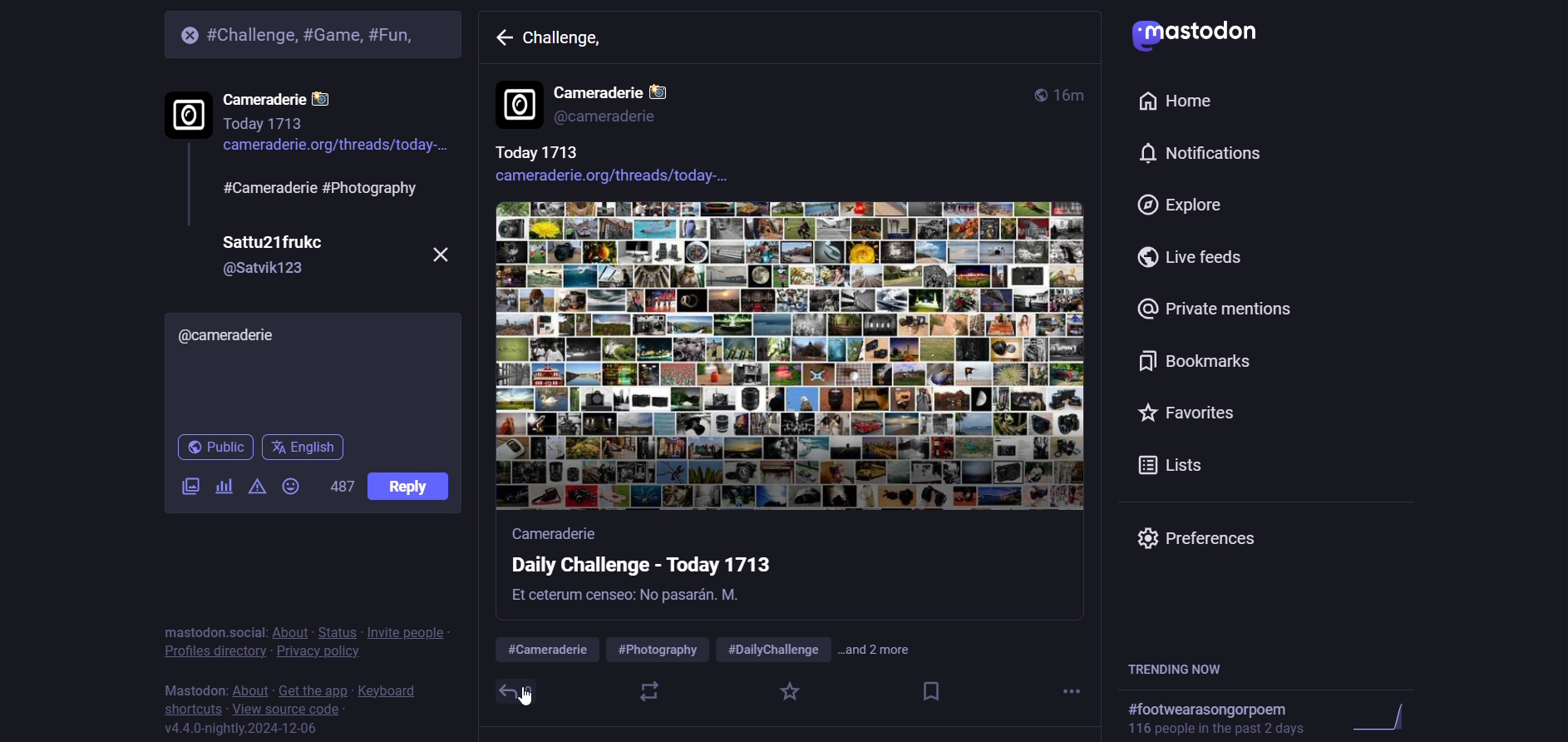  What do you see at coordinates (392, 688) in the screenshot?
I see `keyboard` at bounding box center [392, 688].